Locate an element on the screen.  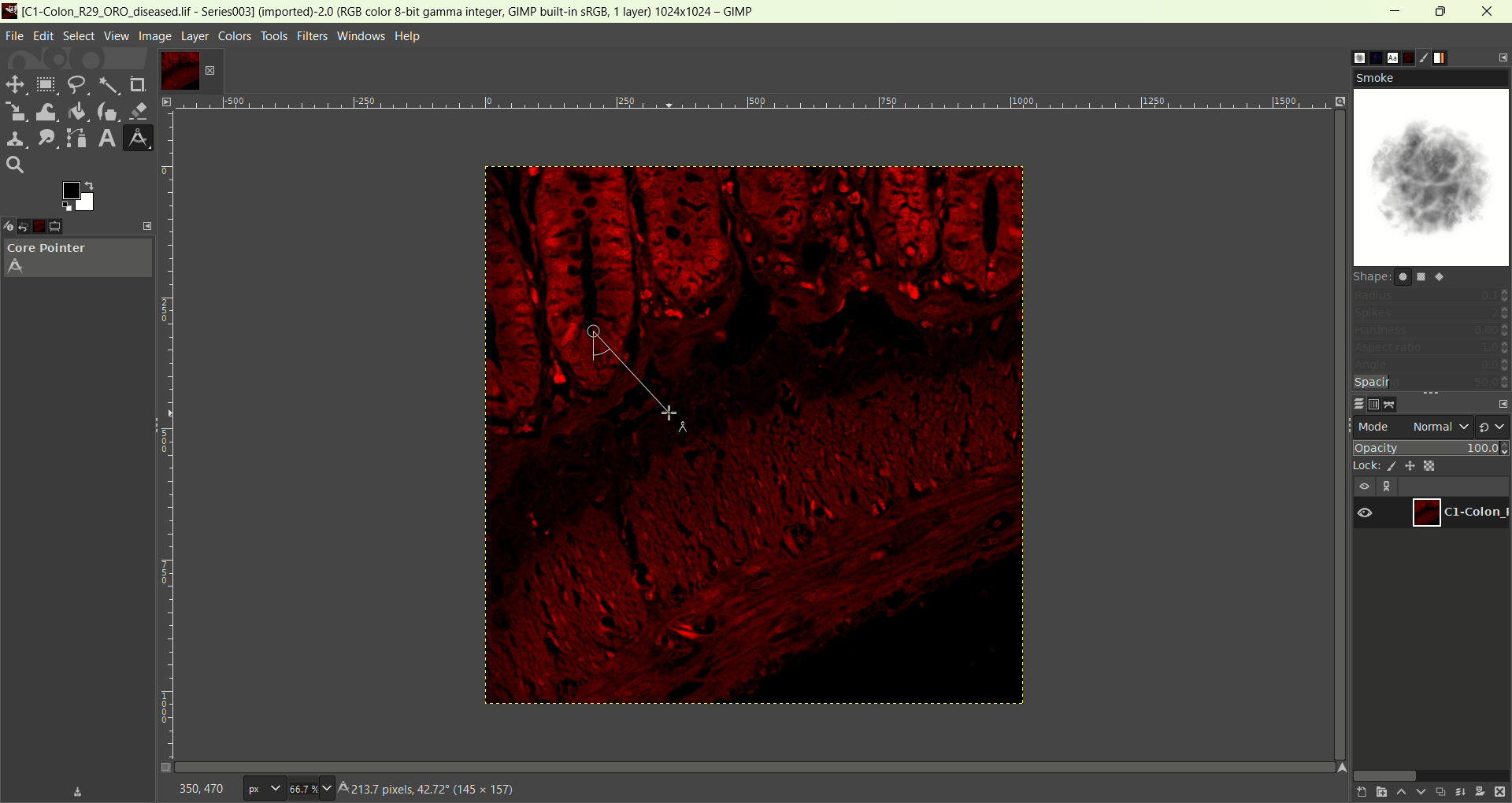
image is located at coordinates (154, 36).